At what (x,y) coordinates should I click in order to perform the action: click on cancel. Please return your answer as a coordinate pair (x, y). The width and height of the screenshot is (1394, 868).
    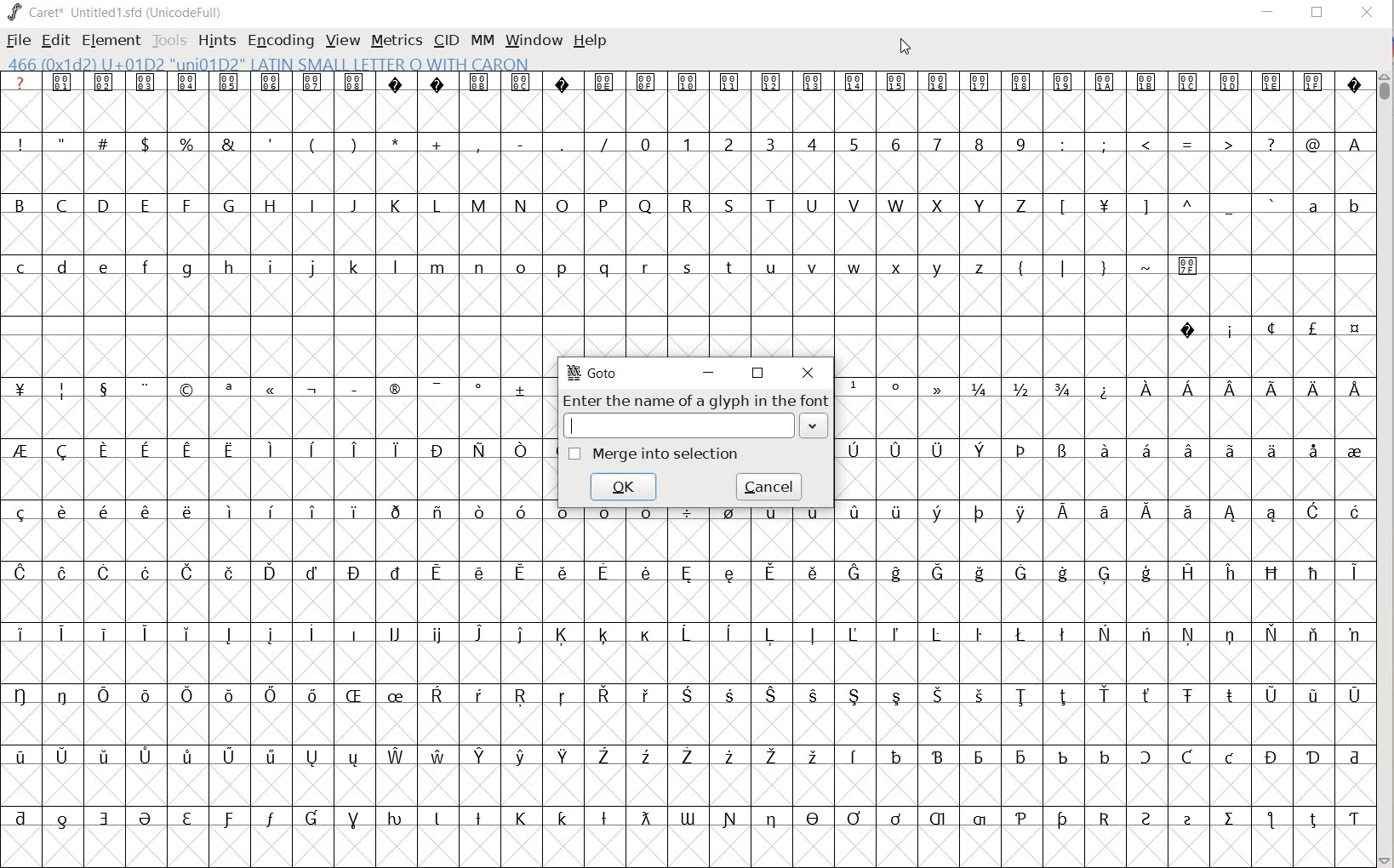
    Looking at the image, I should click on (768, 490).